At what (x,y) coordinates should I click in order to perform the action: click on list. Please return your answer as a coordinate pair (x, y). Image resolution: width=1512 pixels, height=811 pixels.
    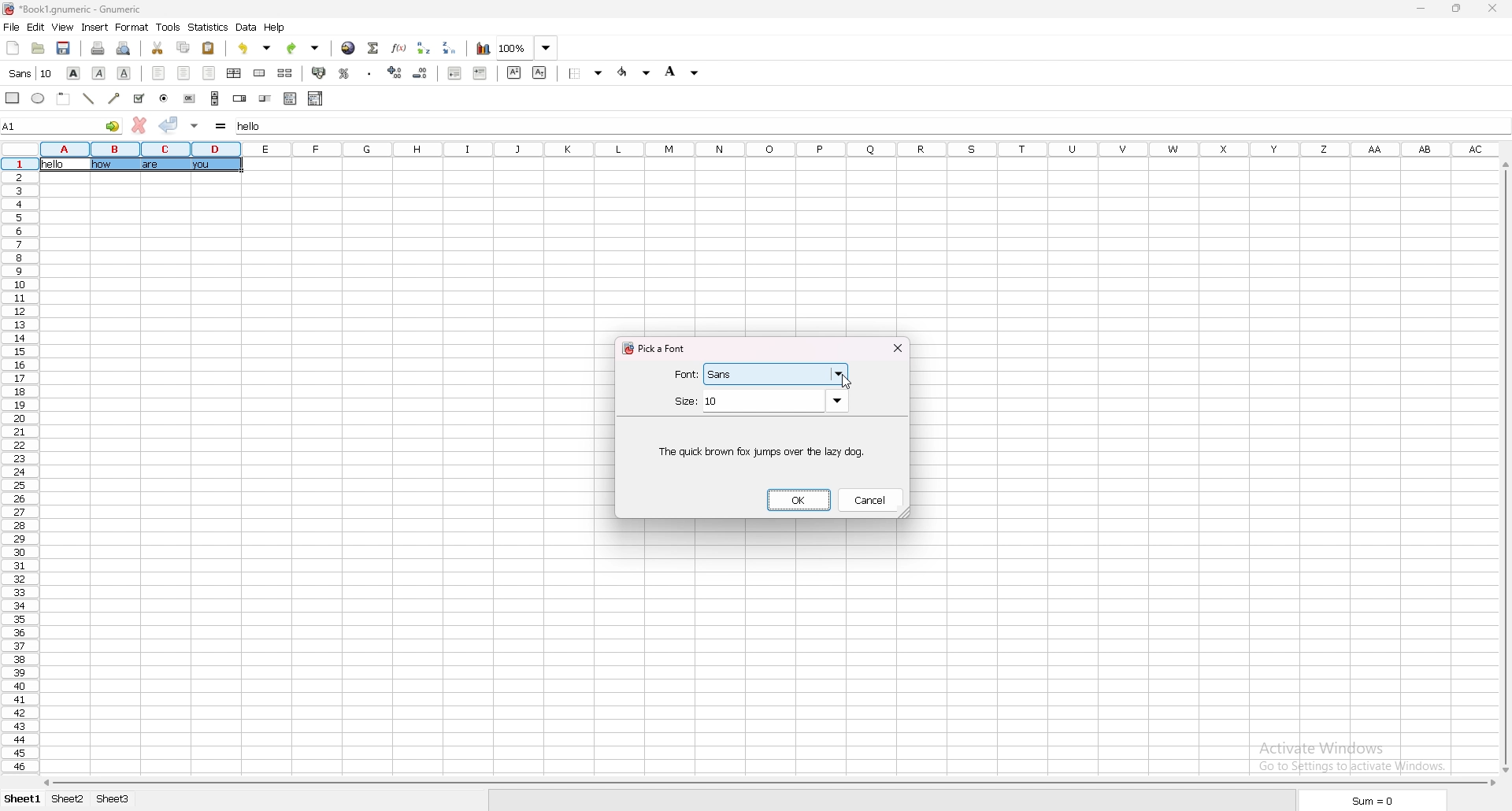
    Looking at the image, I should click on (290, 99).